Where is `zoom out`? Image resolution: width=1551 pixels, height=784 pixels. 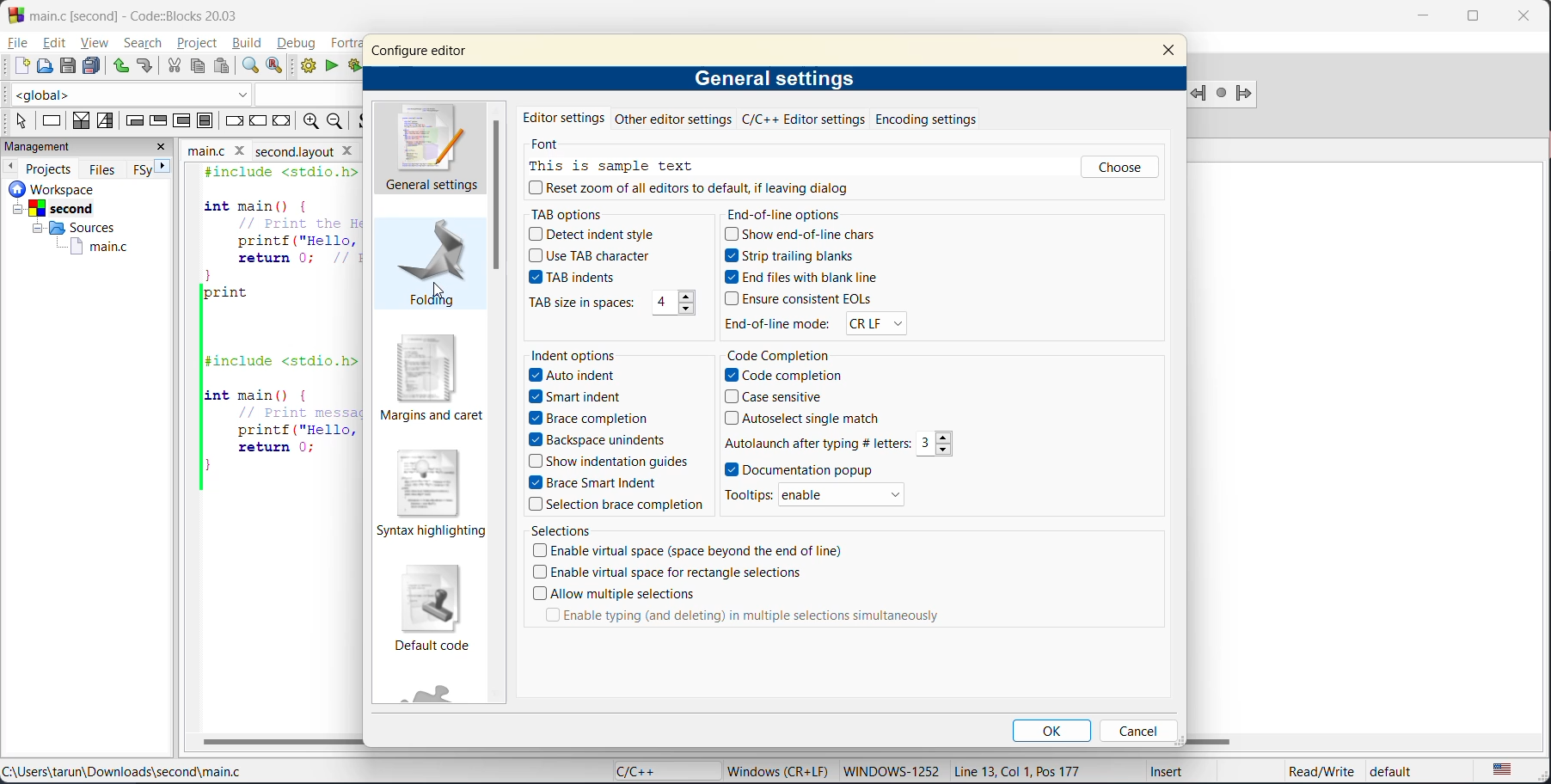
zoom out is located at coordinates (340, 121).